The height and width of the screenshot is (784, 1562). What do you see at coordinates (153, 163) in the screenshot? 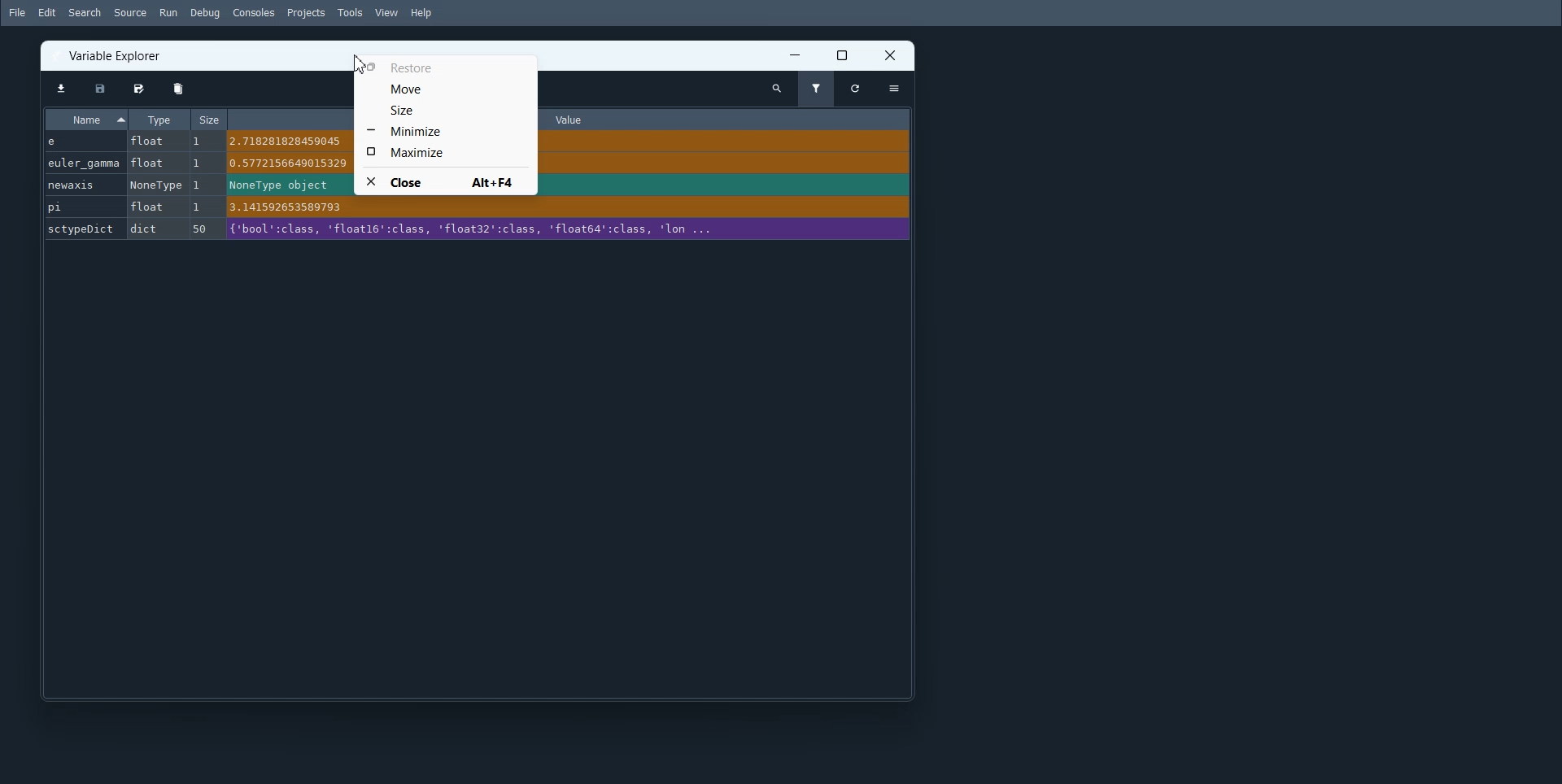
I see `float` at bounding box center [153, 163].